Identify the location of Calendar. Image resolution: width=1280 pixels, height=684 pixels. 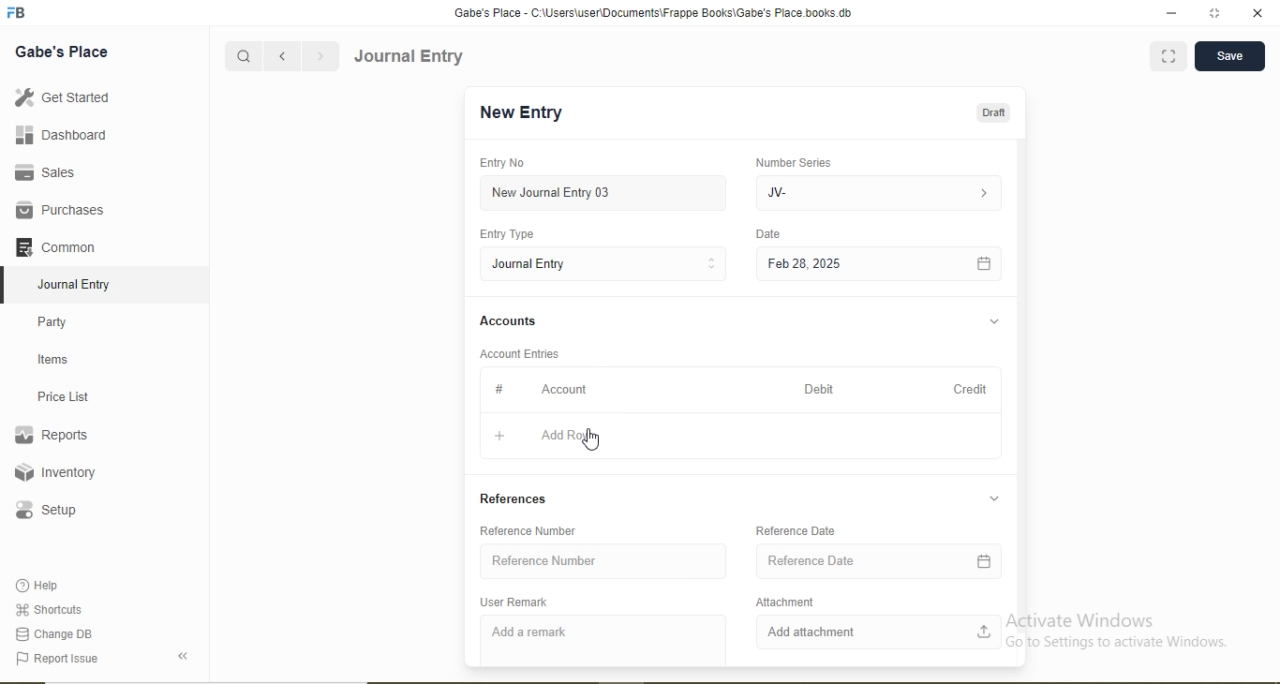
(984, 265).